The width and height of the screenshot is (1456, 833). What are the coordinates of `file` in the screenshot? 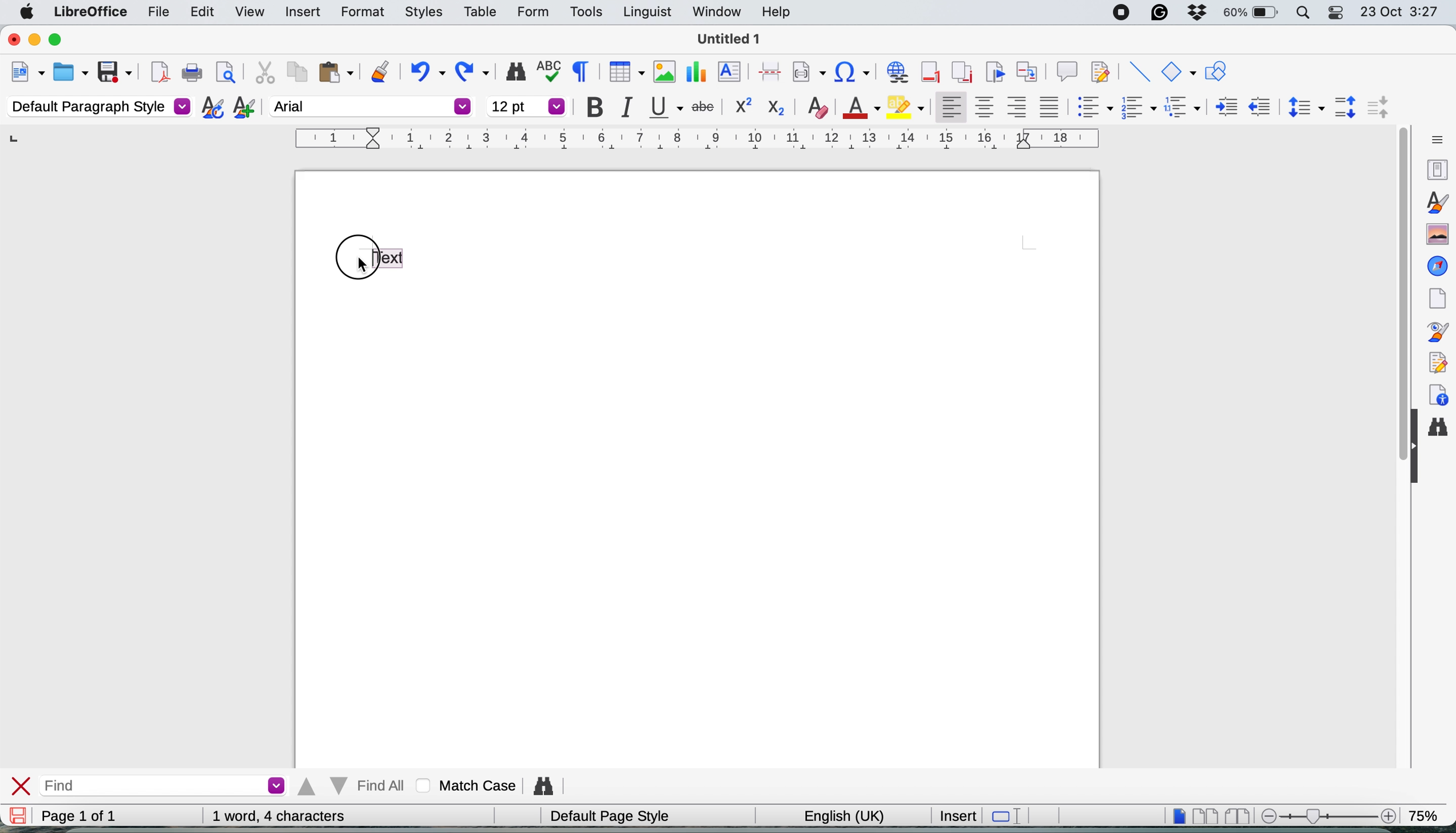 It's located at (153, 13).